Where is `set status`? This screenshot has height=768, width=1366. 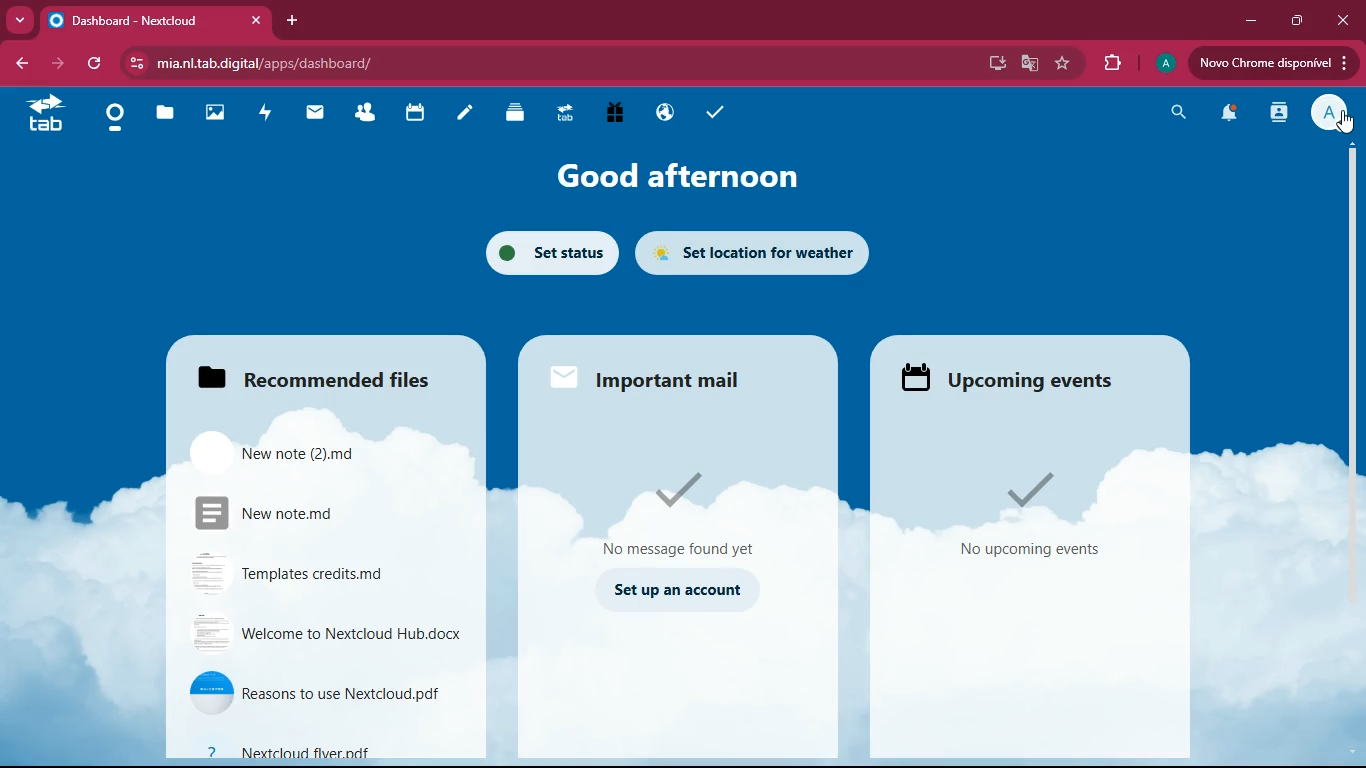 set status is located at coordinates (539, 255).